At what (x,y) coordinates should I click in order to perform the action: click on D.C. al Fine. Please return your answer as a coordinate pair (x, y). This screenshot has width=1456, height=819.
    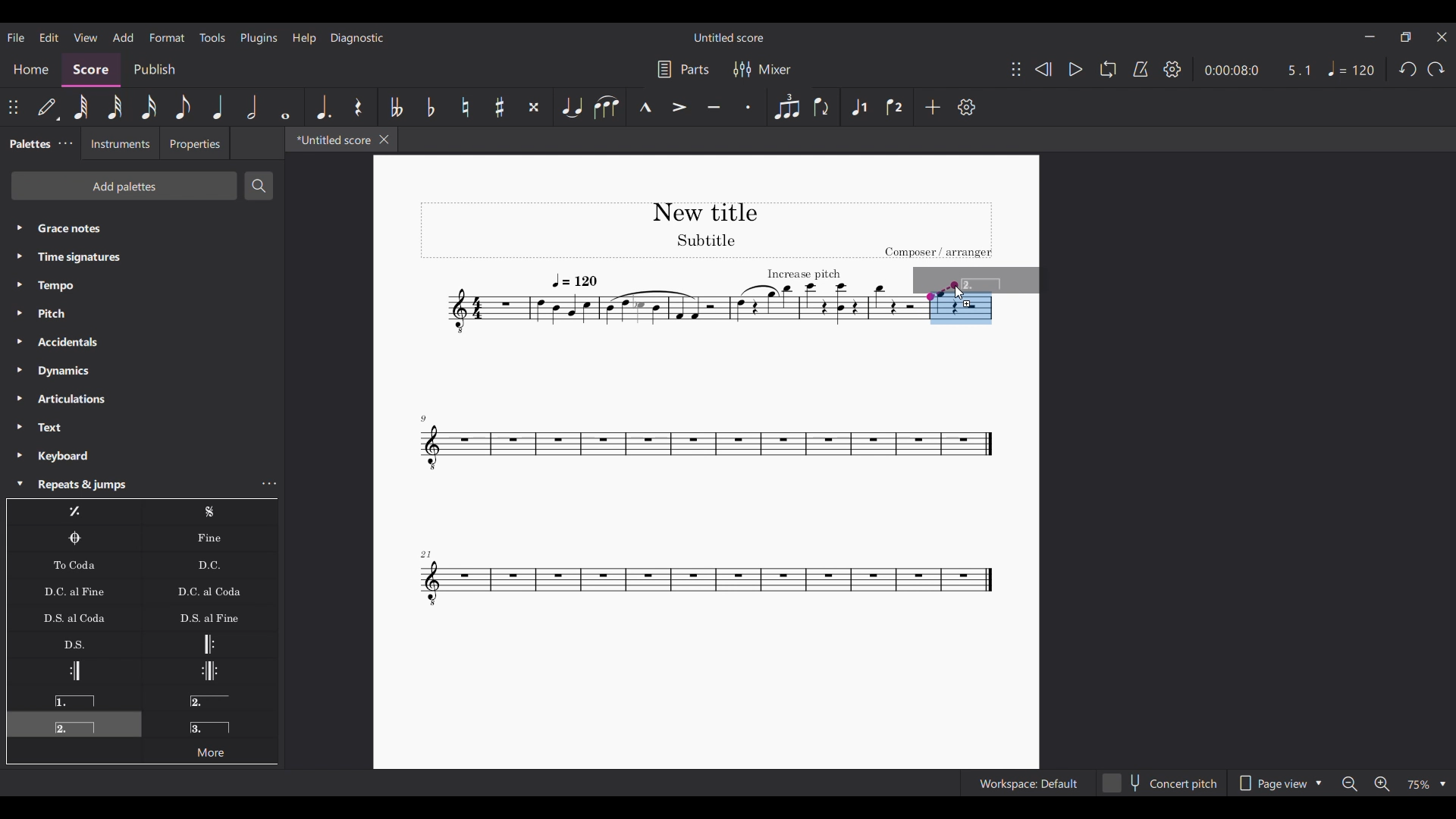
    Looking at the image, I should click on (74, 591).